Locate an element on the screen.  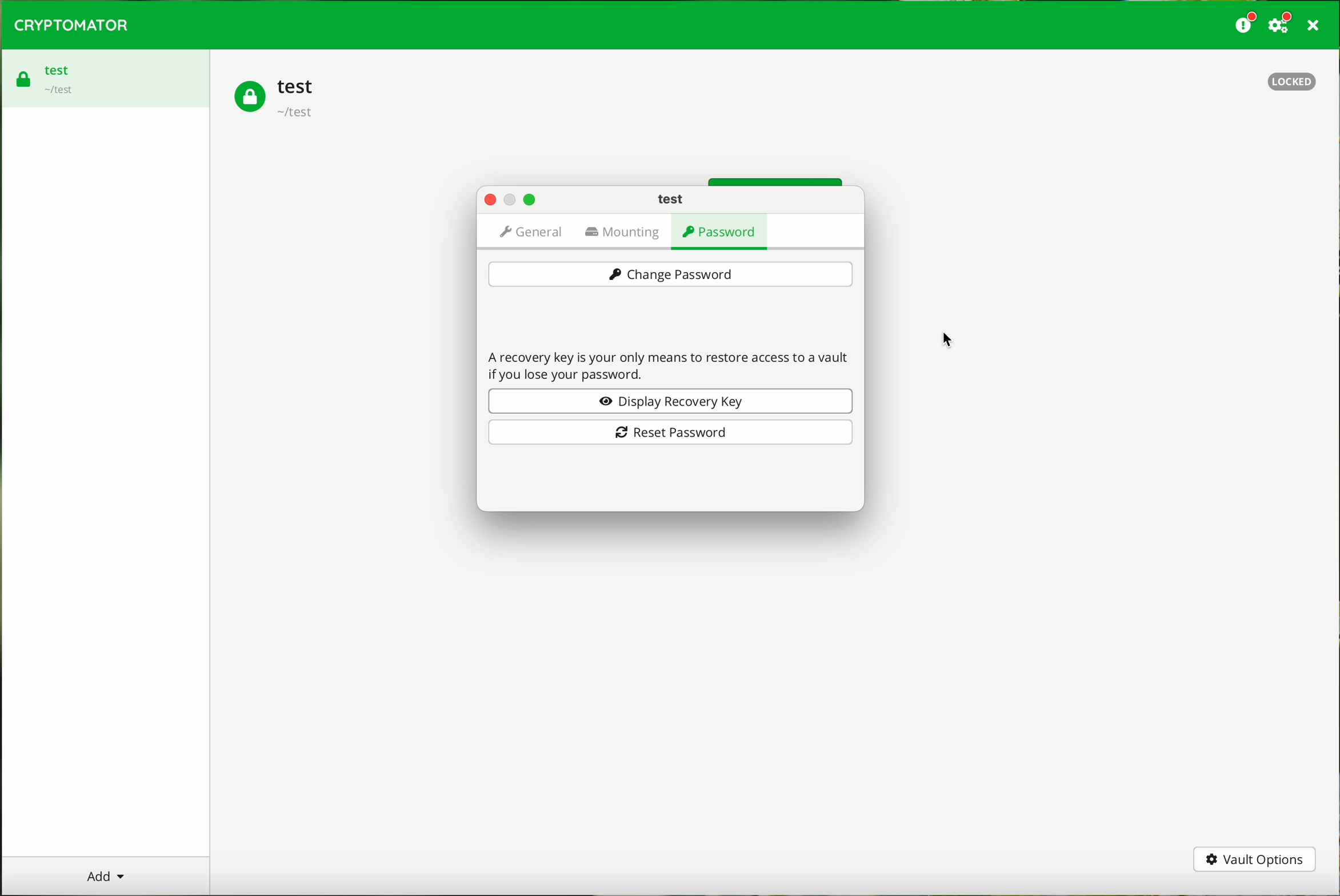
close program is located at coordinates (1317, 25).